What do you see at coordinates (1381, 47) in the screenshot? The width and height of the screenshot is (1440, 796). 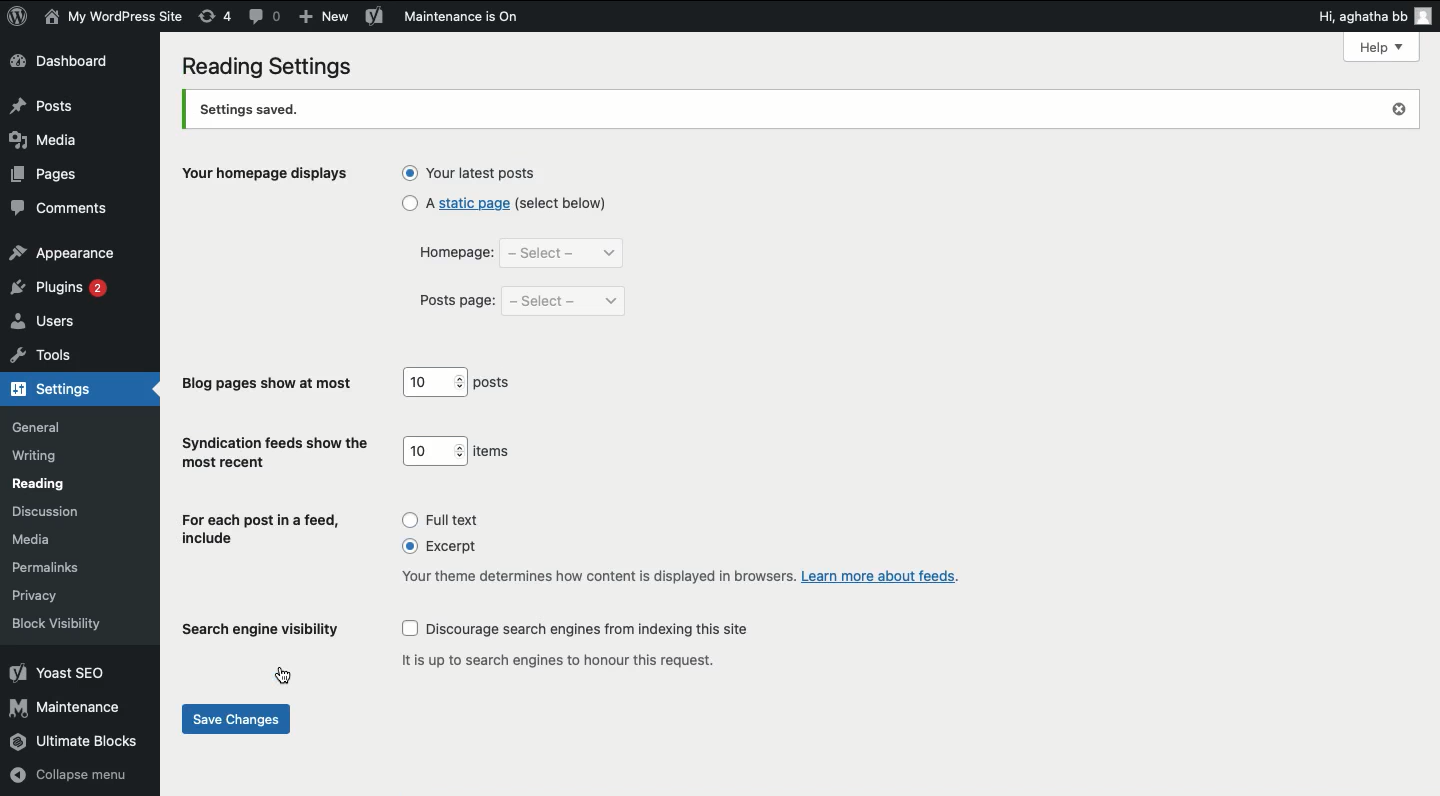 I see `Help` at bounding box center [1381, 47].